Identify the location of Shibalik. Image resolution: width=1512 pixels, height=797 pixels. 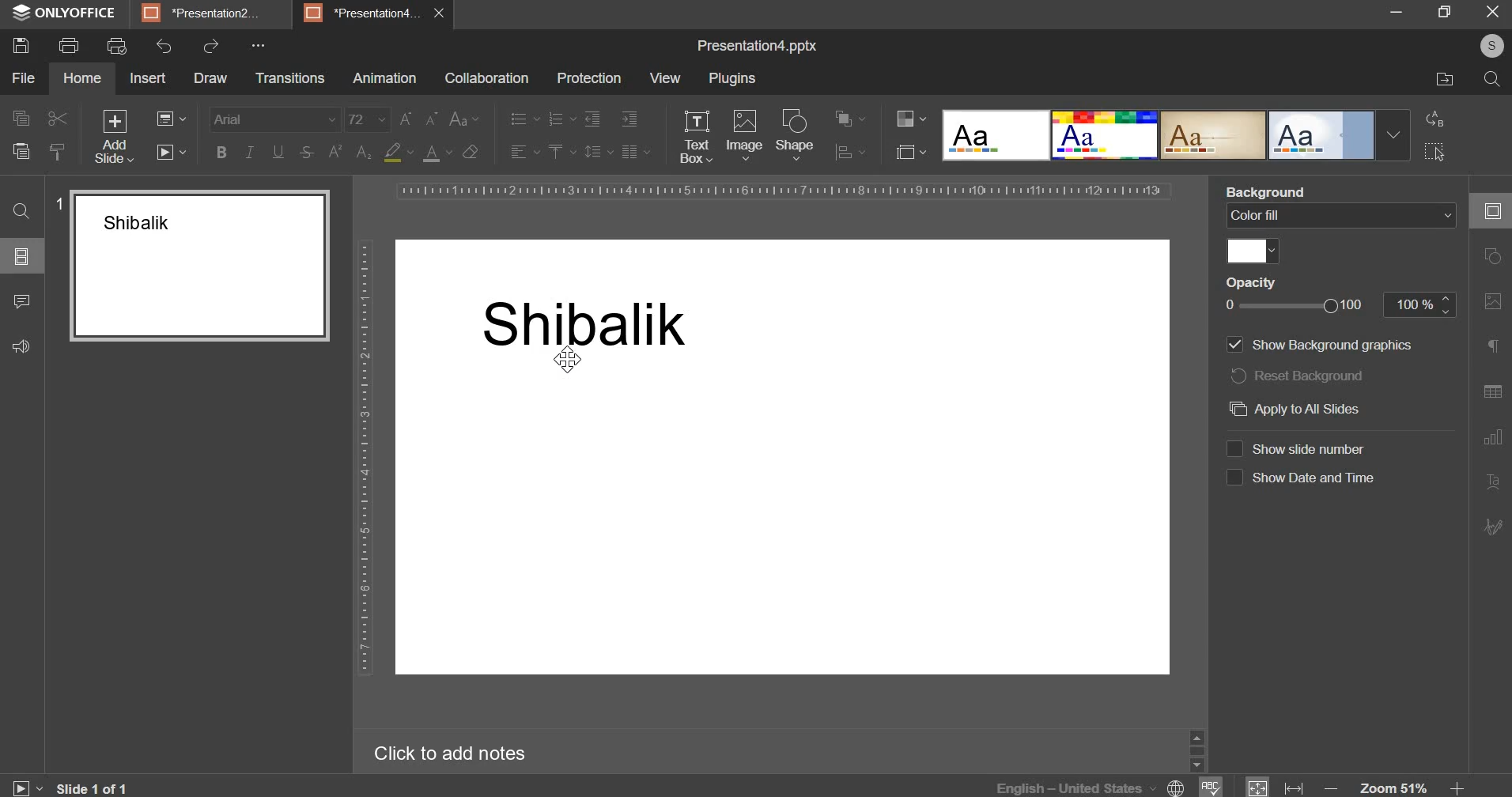
(593, 323).